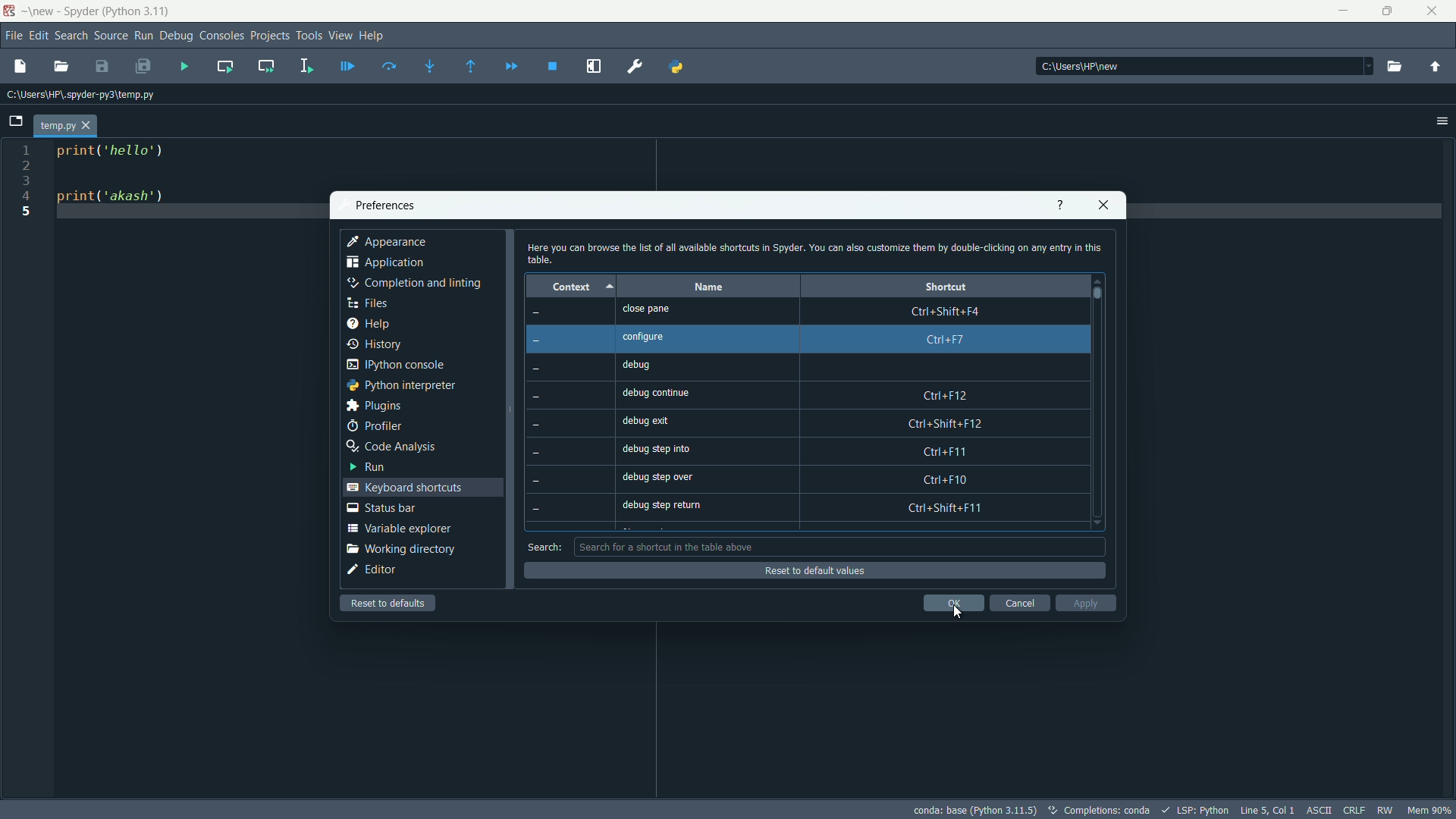 This screenshot has width=1456, height=819. What do you see at coordinates (61, 67) in the screenshot?
I see `open file` at bounding box center [61, 67].